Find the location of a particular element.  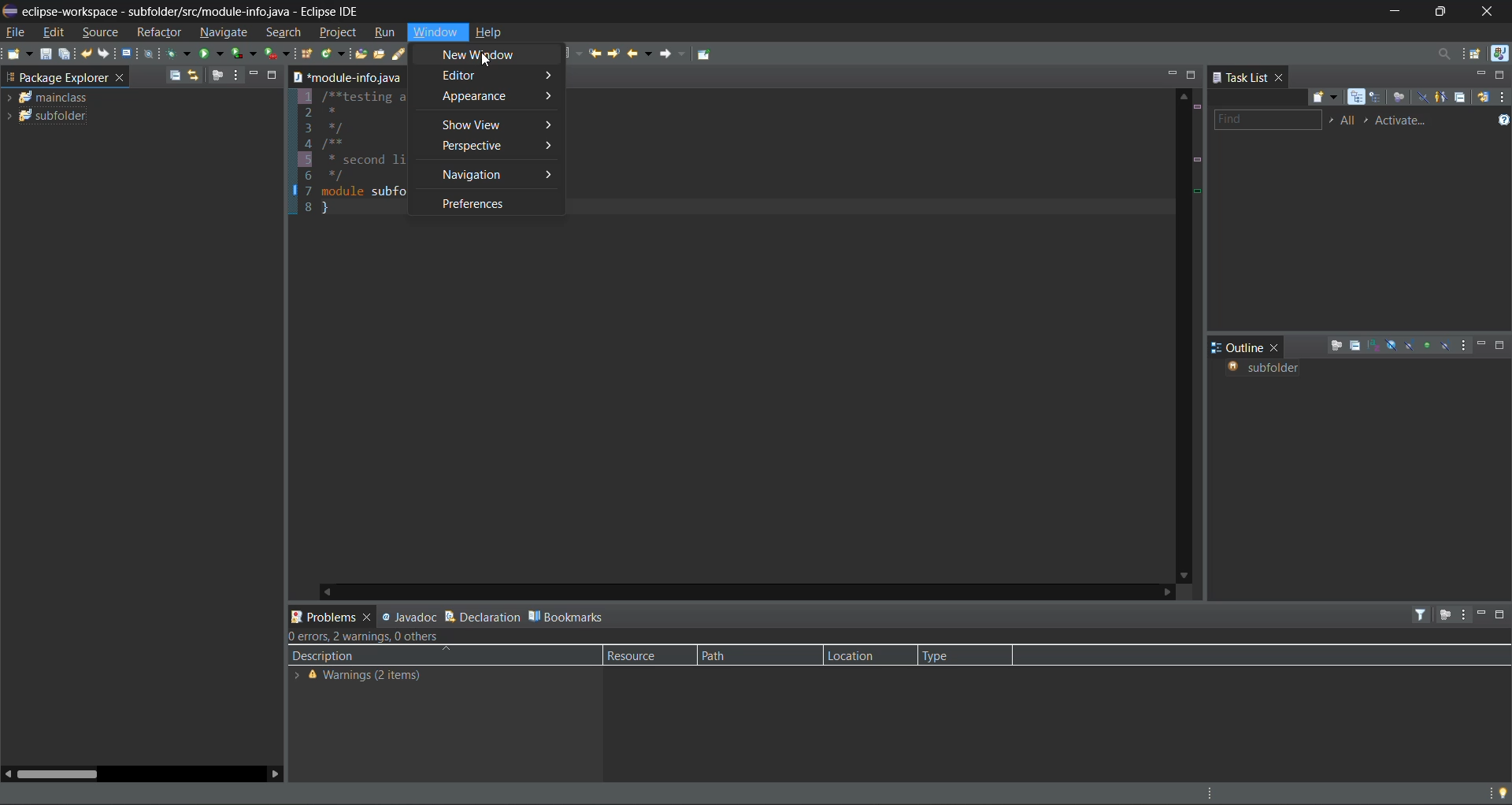

maximize is located at coordinates (1442, 14).